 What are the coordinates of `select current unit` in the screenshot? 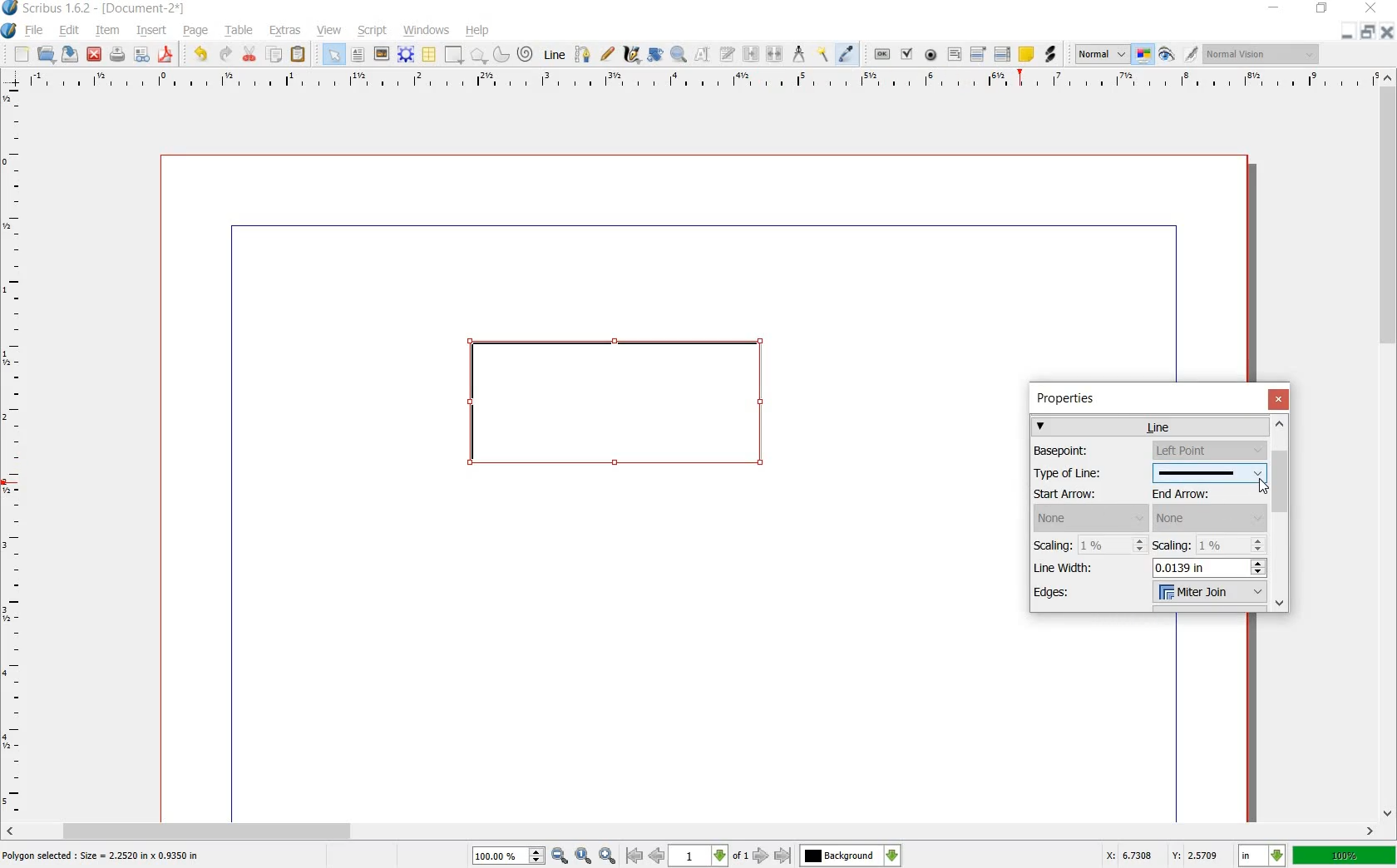 It's located at (1260, 856).